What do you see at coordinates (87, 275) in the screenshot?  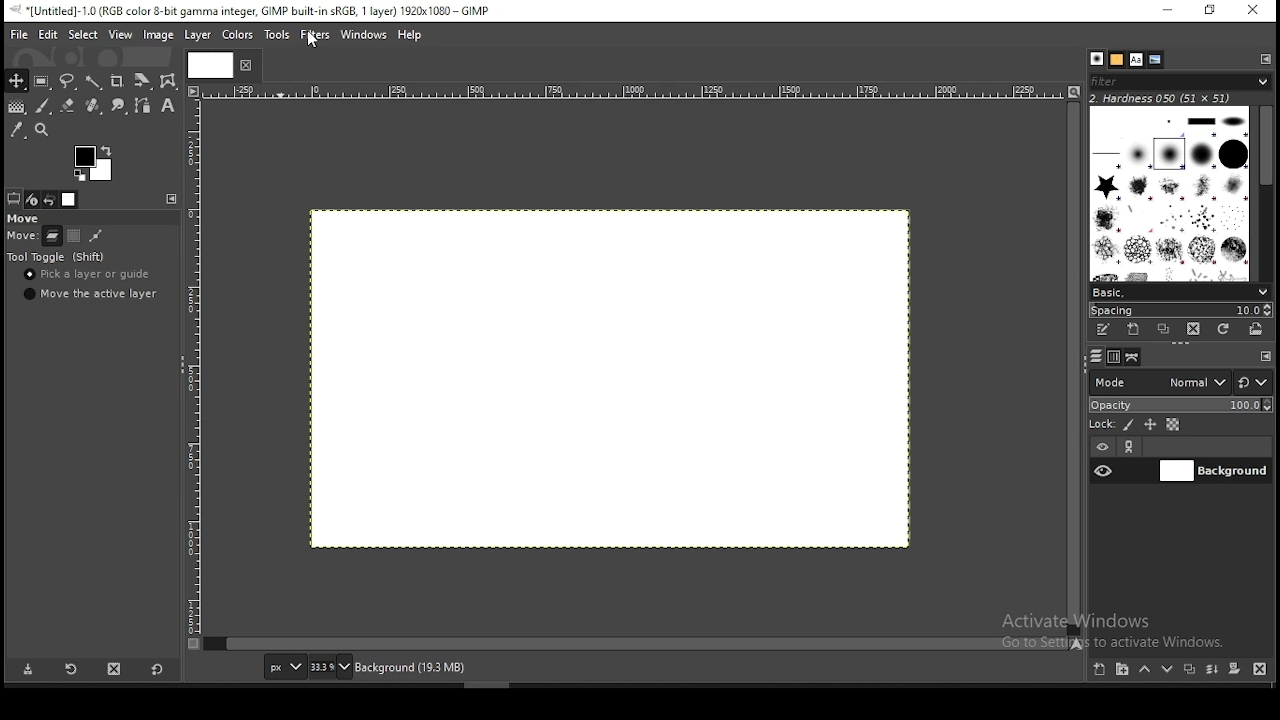 I see `pick a layer or guide` at bounding box center [87, 275].